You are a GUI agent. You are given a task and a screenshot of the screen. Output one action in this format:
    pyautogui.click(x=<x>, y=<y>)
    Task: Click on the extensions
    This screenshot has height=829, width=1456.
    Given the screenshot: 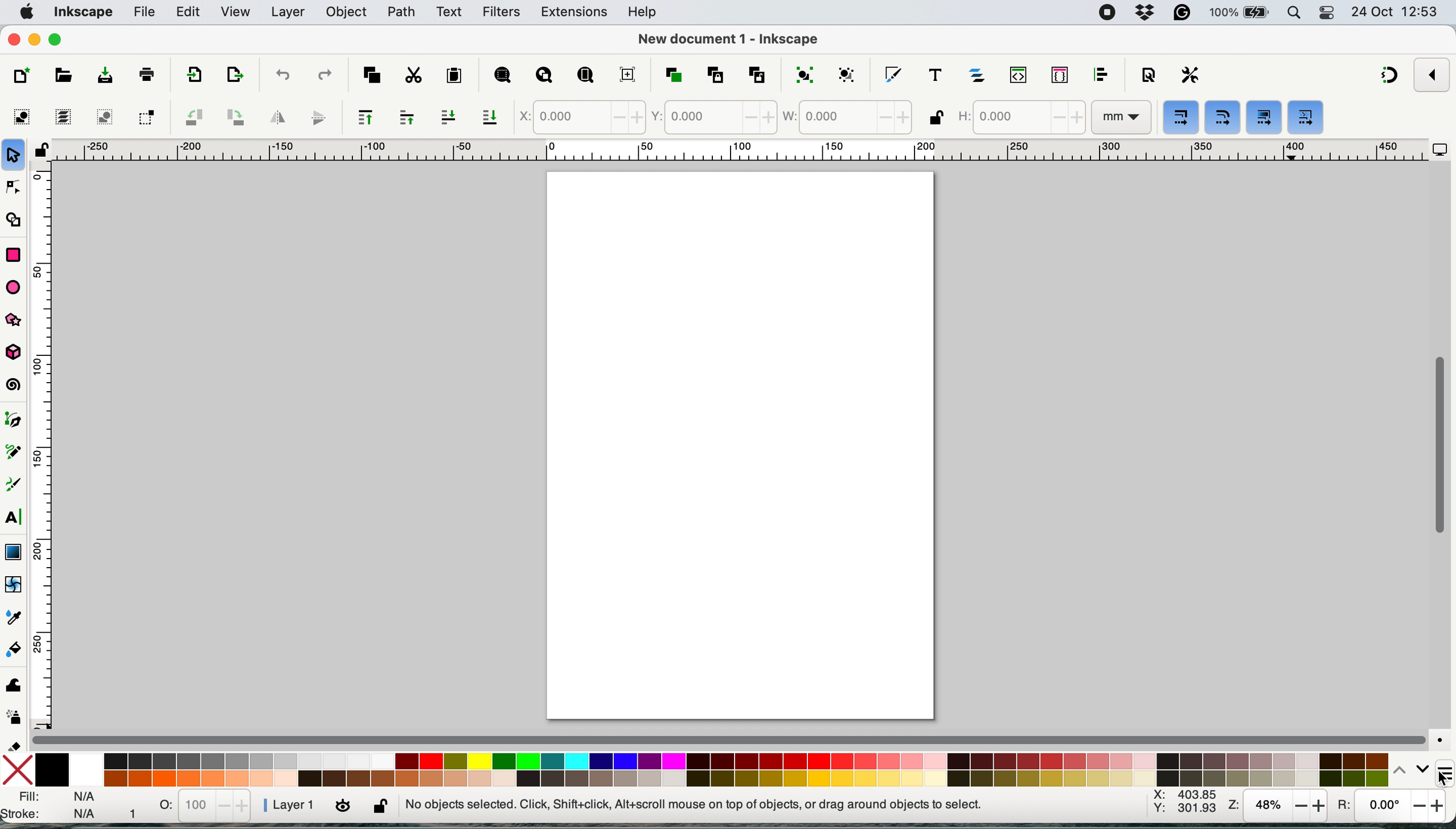 What is the action you would take?
    pyautogui.click(x=575, y=13)
    